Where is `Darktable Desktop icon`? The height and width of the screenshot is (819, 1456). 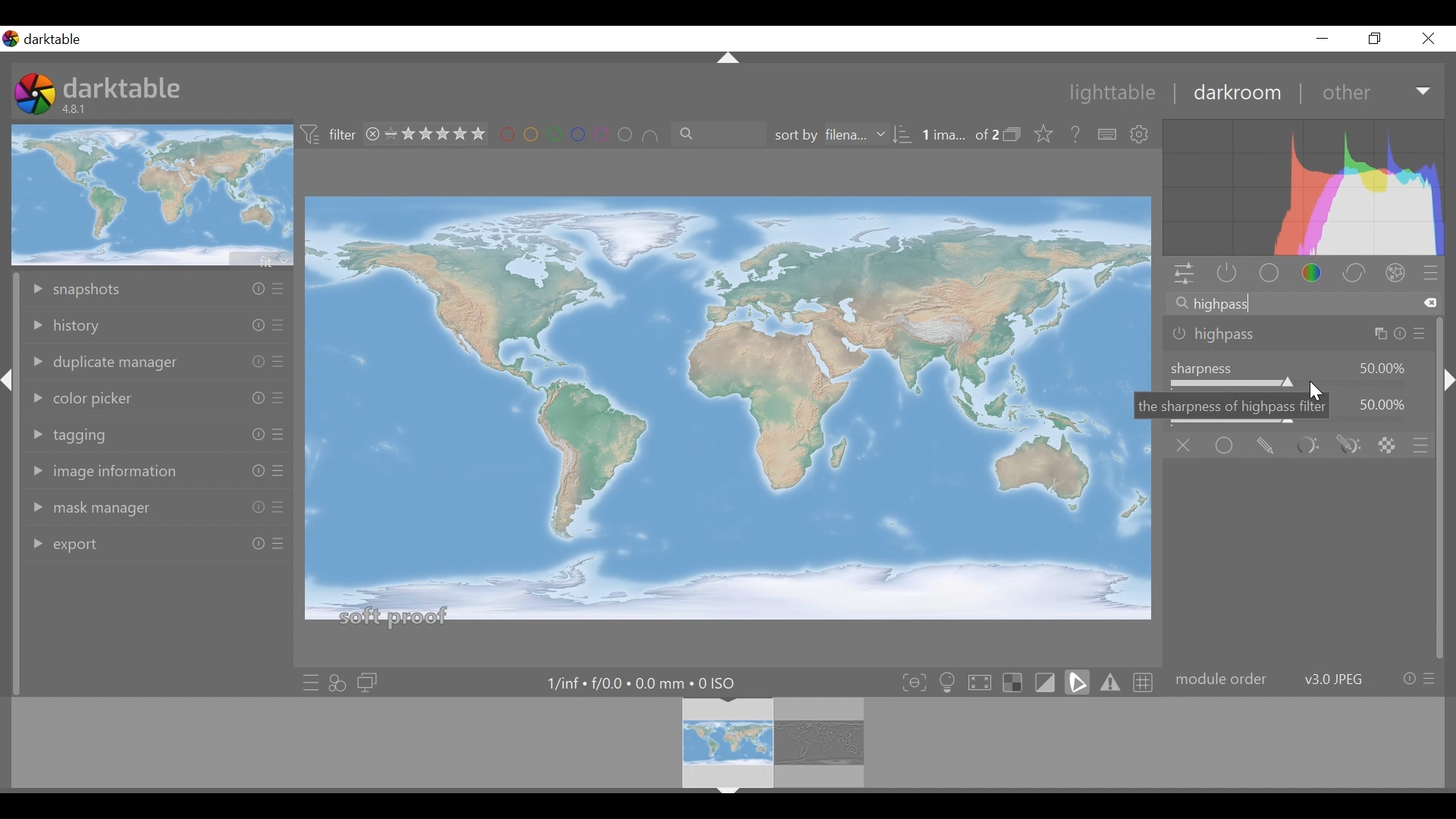
Darktable Desktop icon is located at coordinates (34, 93).